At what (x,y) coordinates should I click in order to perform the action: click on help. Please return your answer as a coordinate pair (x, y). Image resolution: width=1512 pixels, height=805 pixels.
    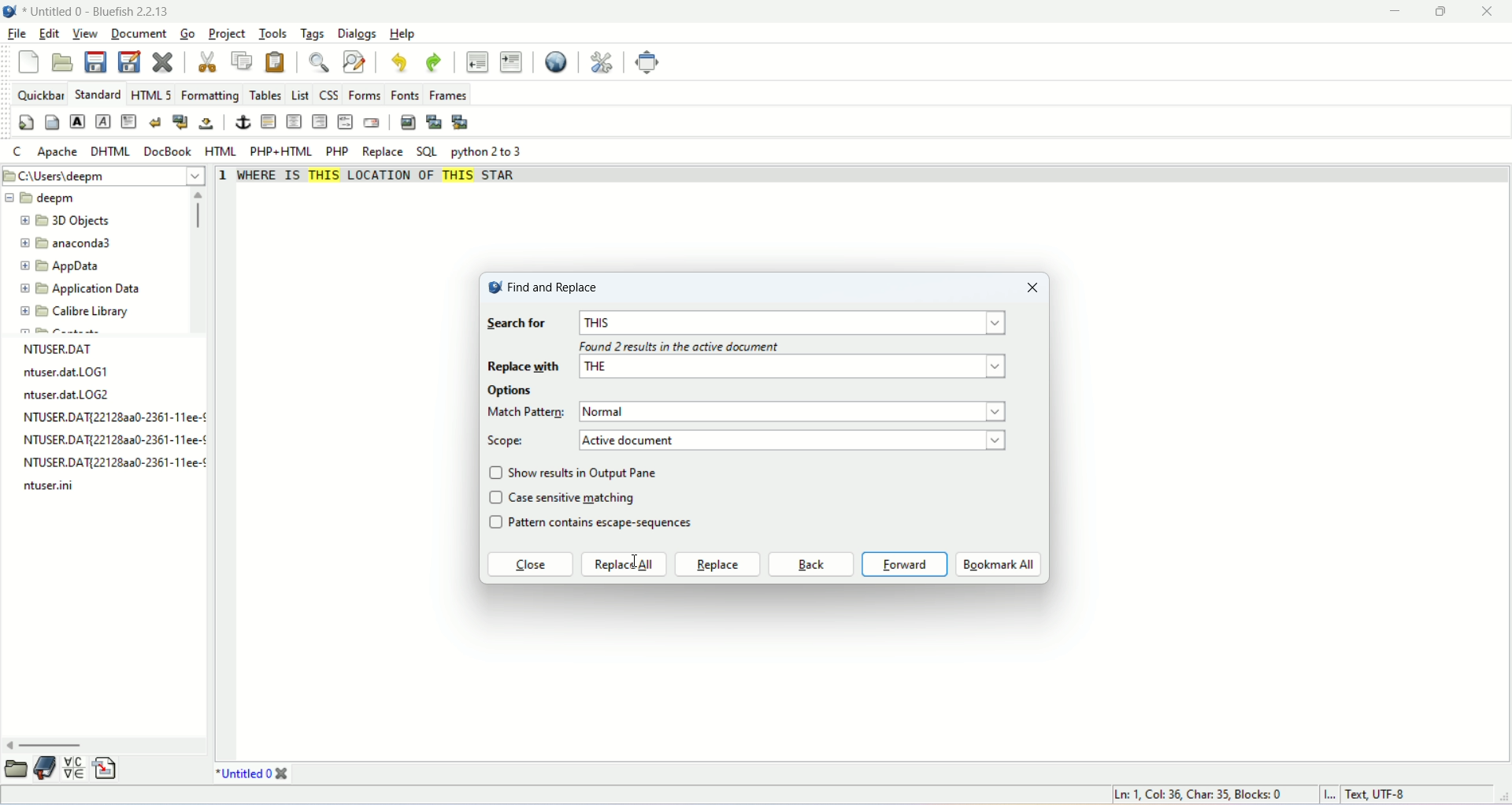
    Looking at the image, I should click on (401, 34).